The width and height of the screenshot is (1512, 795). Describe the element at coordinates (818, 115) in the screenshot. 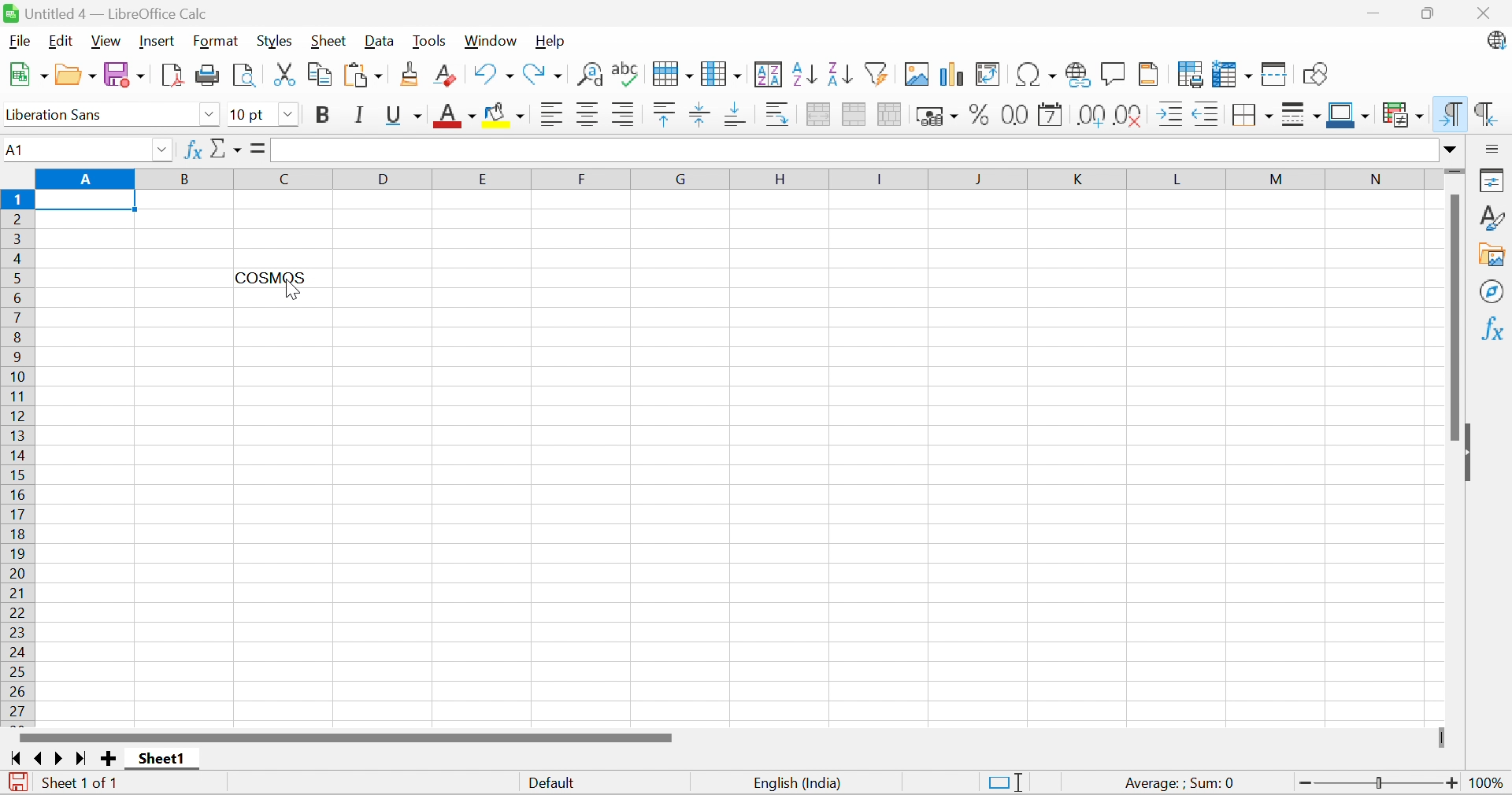

I see `Merge and Center or Unmerge Cells Depending on current Toggle Status` at that location.